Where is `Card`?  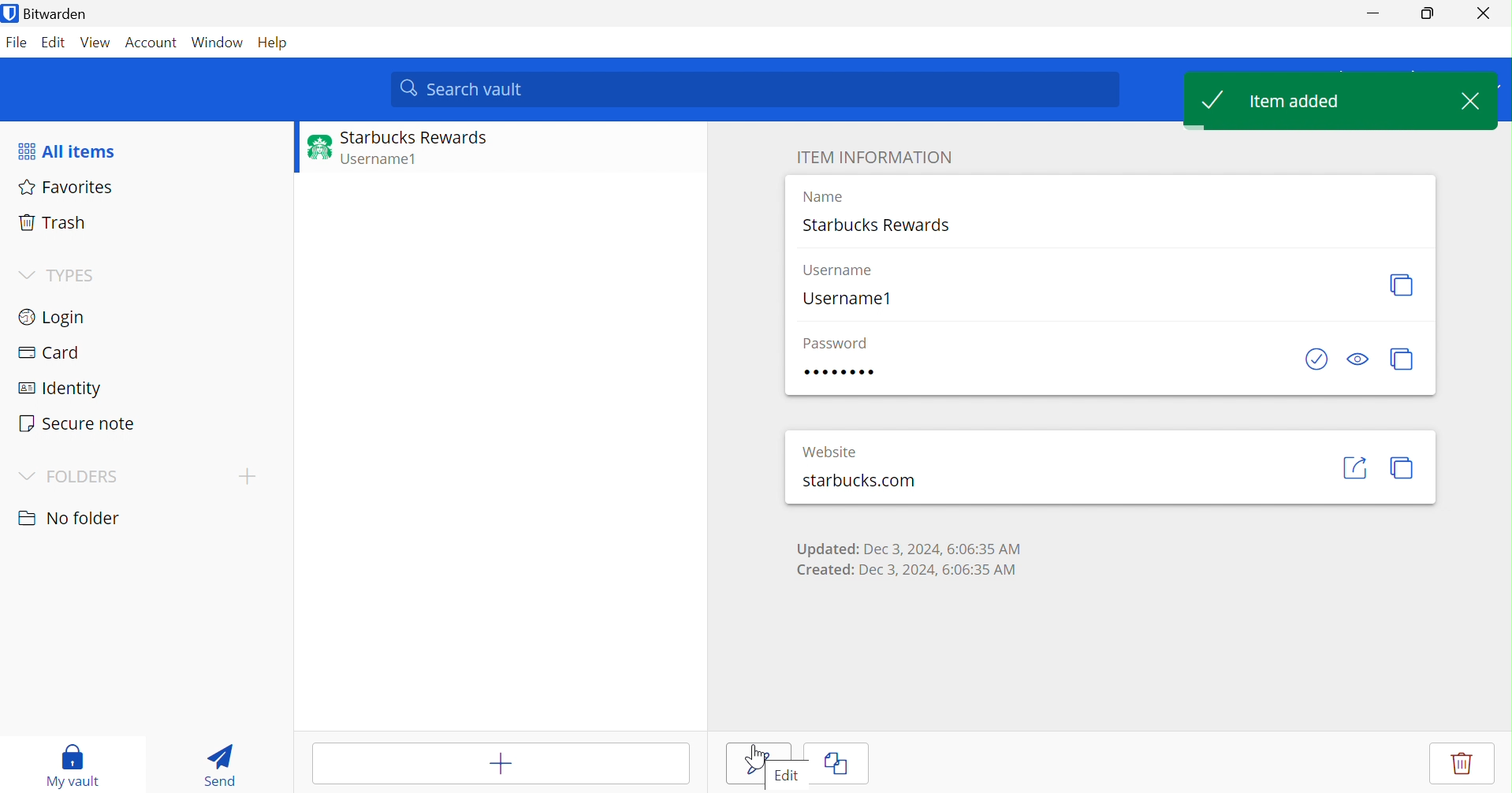
Card is located at coordinates (50, 352).